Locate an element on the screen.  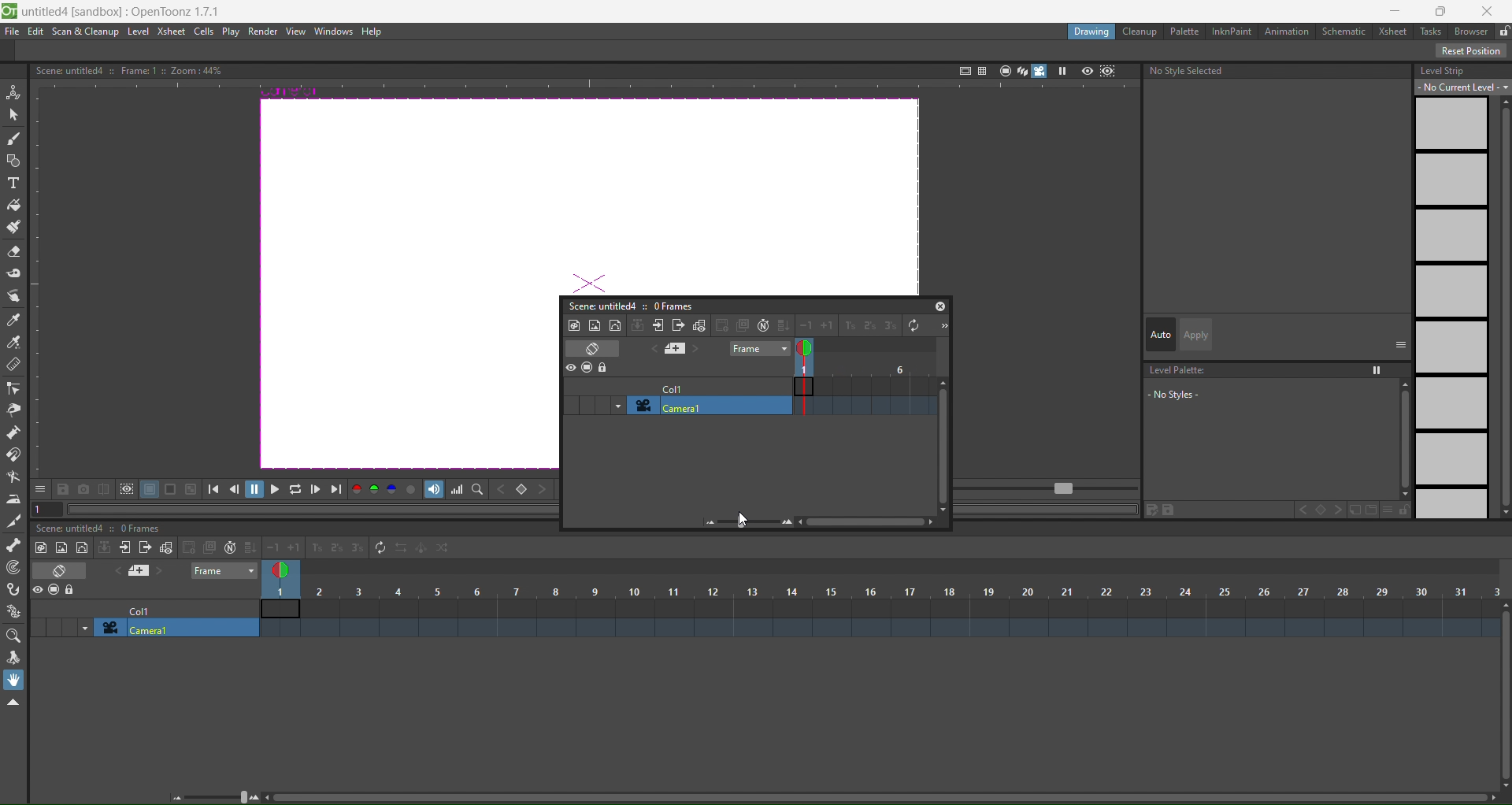
inknpaint is located at coordinates (1232, 30).